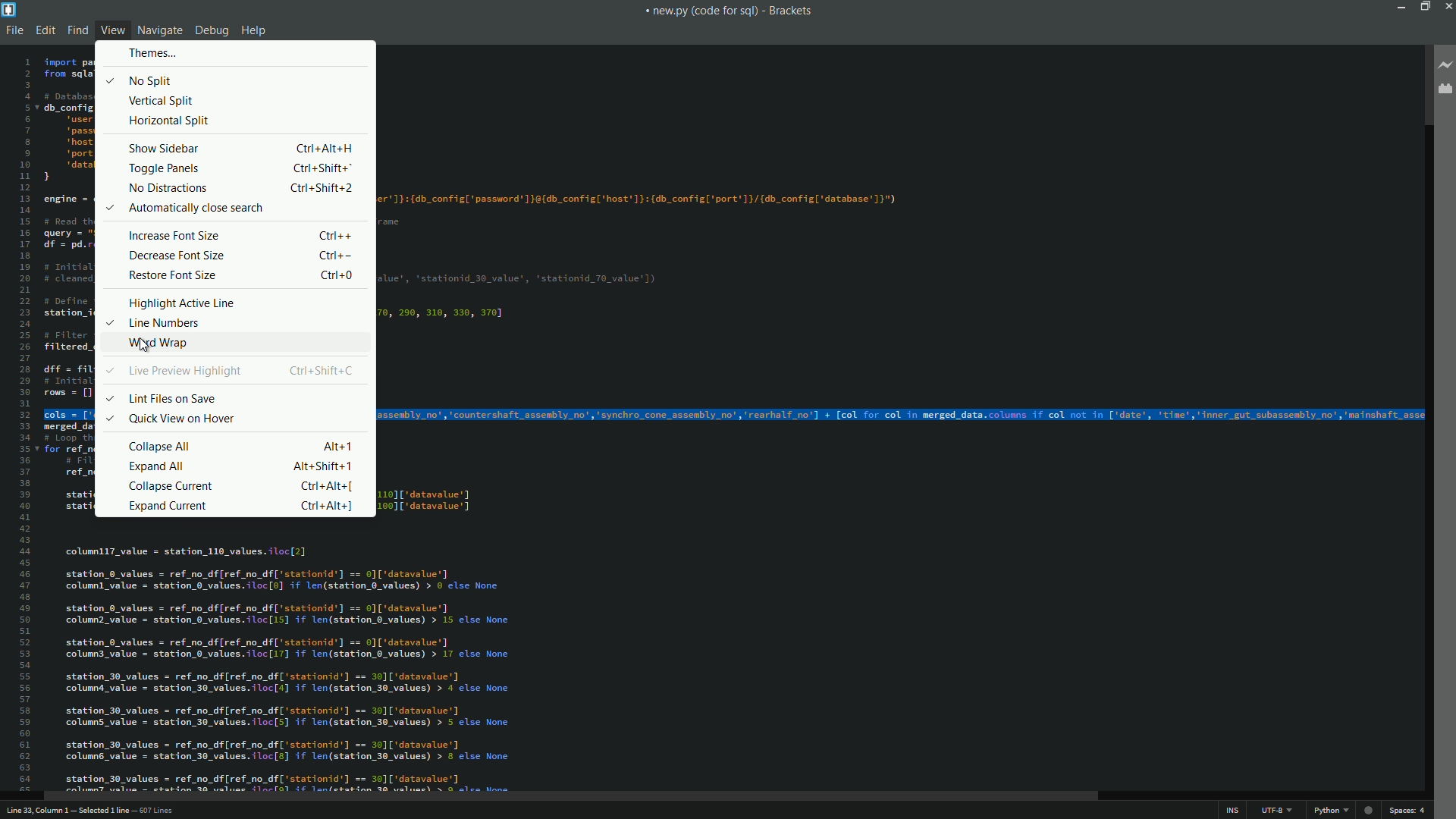 Image resolution: width=1456 pixels, height=819 pixels. Describe the element at coordinates (78, 30) in the screenshot. I see `find menu` at that location.